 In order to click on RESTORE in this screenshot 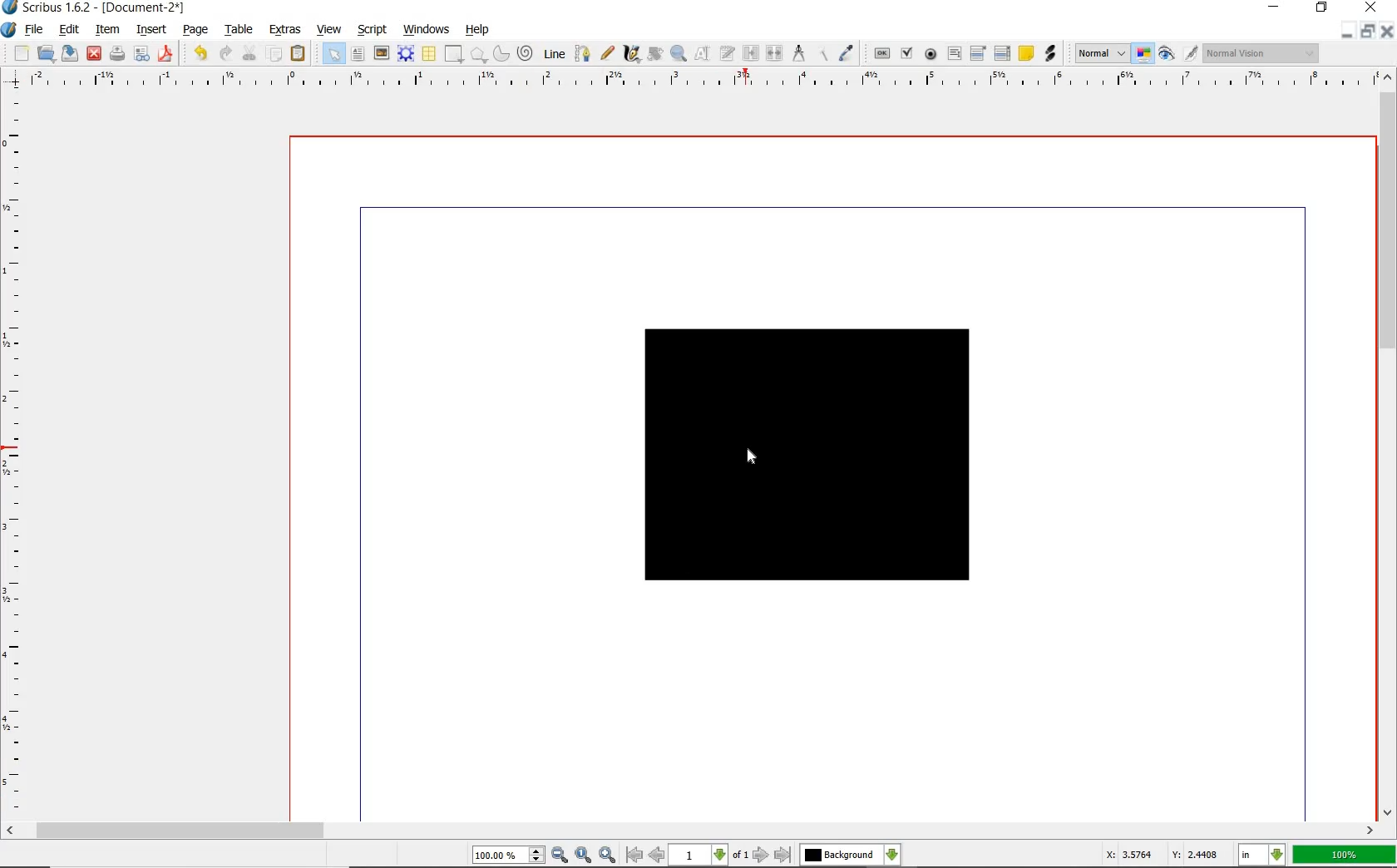, I will do `click(1321, 11)`.